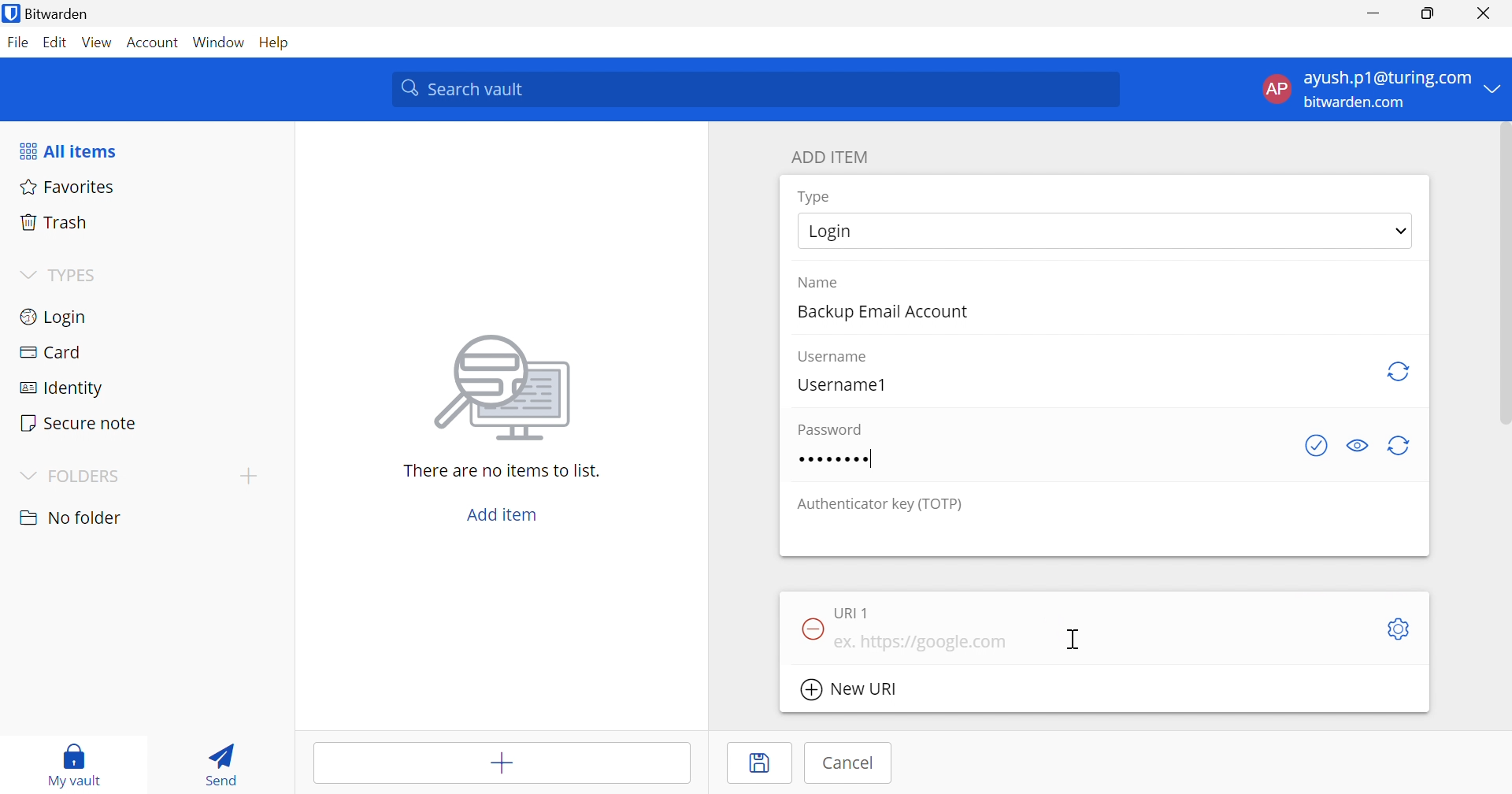 This screenshot has height=794, width=1512. What do you see at coordinates (272, 42) in the screenshot?
I see `Help` at bounding box center [272, 42].